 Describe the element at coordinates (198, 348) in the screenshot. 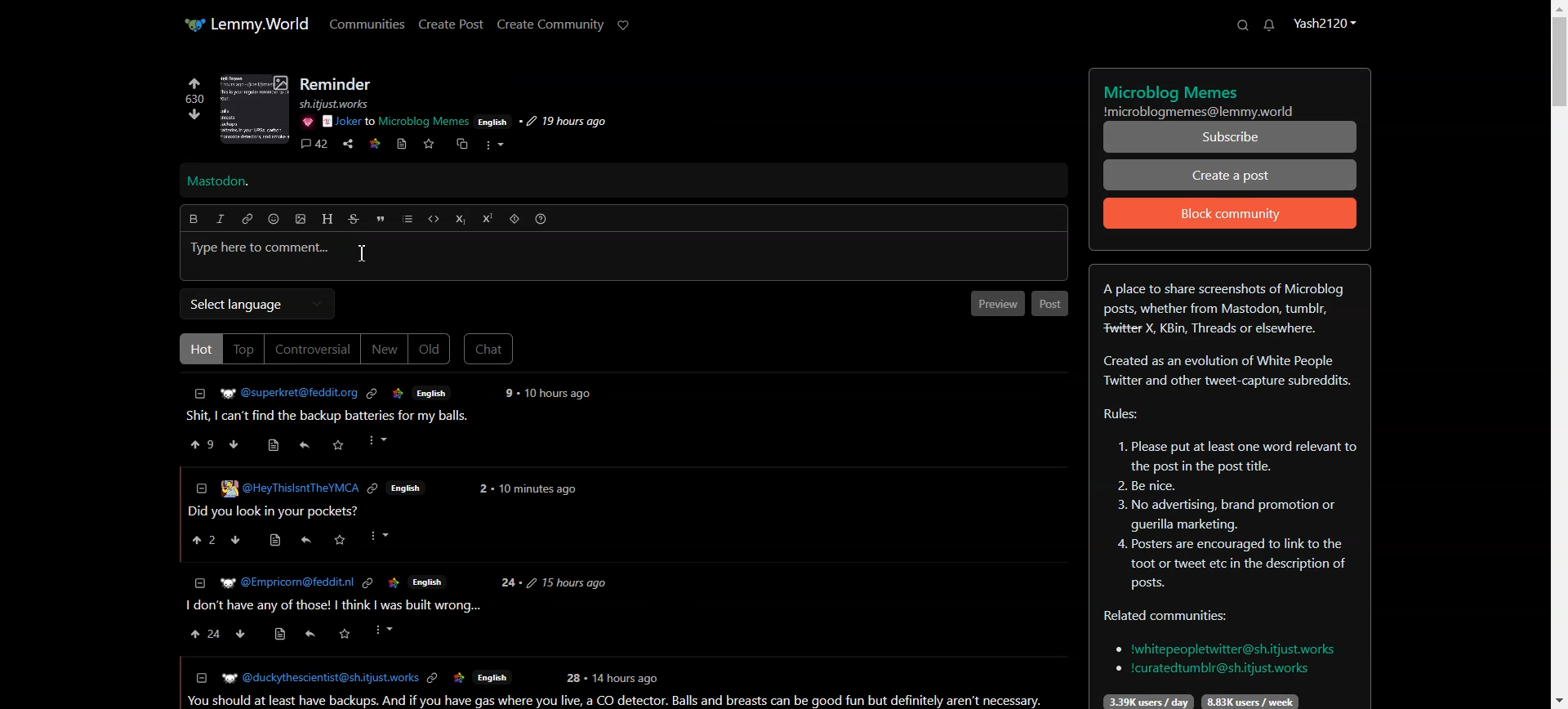

I see `Hot` at that location.